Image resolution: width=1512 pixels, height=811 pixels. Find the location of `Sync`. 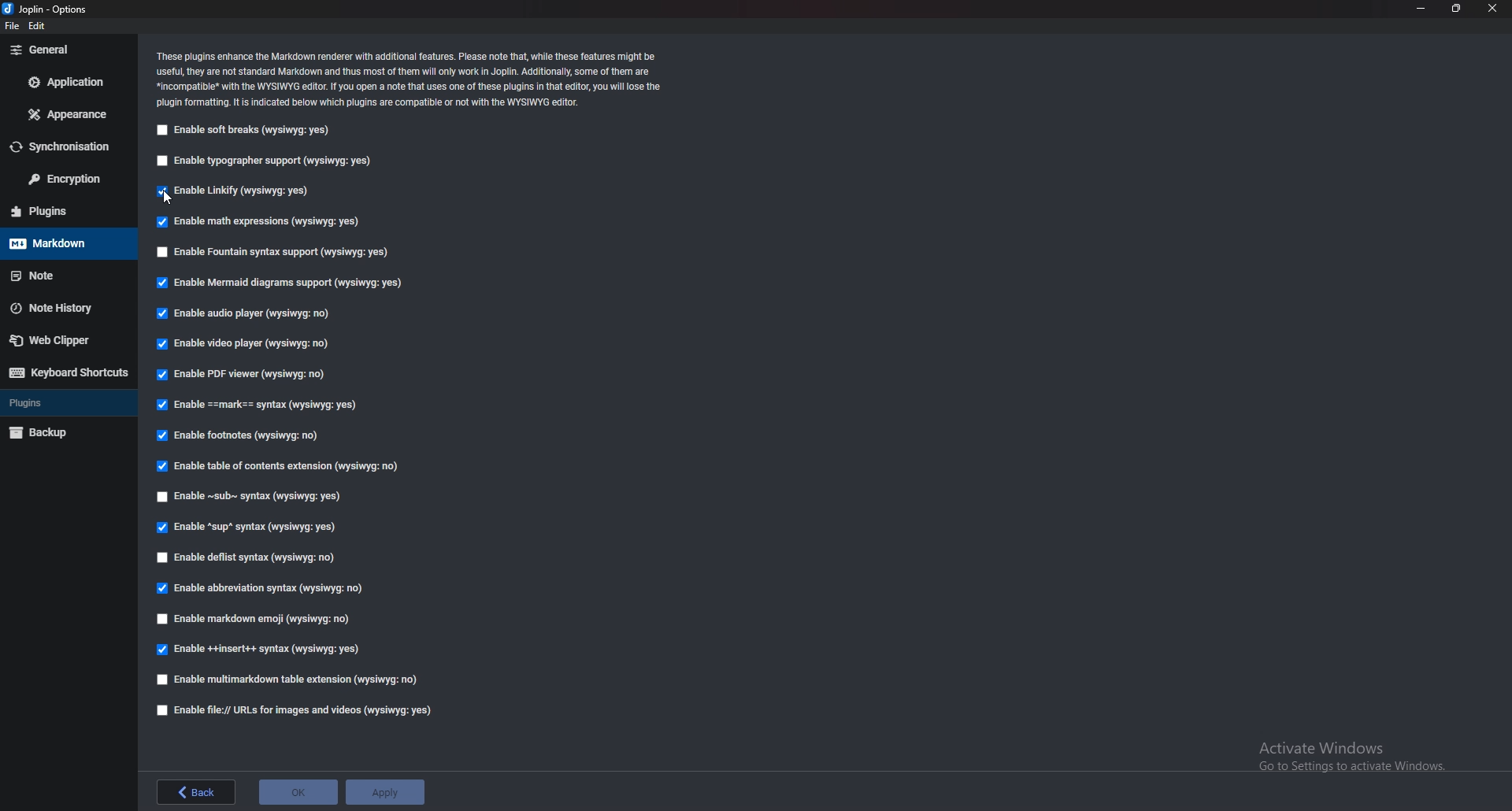

Sync is located at coordinates (64, 146).